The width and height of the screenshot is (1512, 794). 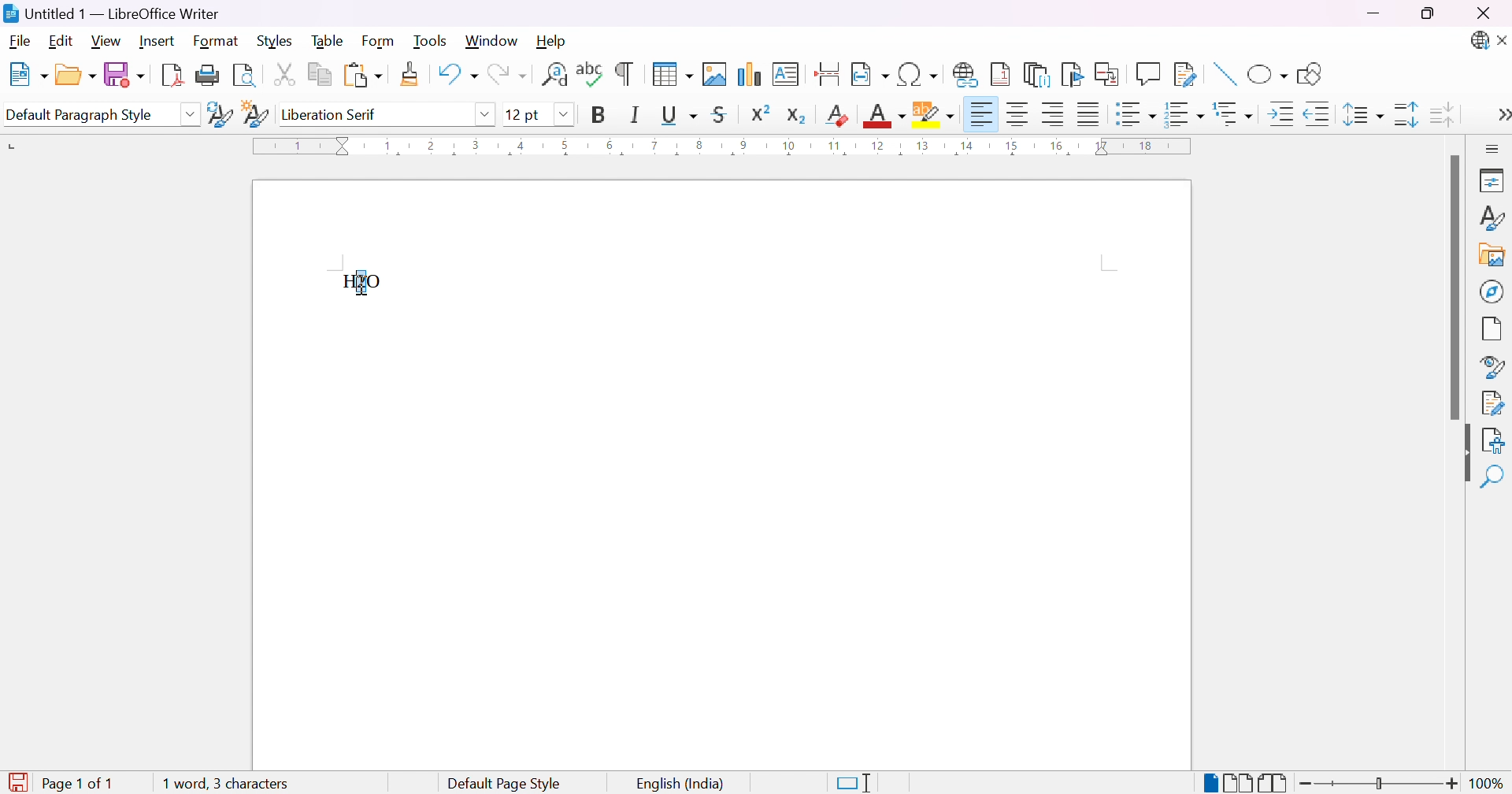 What do you see at coordinates (598, 114) in the screenshot?
I see `Bold` at bounding box center [598, 114].